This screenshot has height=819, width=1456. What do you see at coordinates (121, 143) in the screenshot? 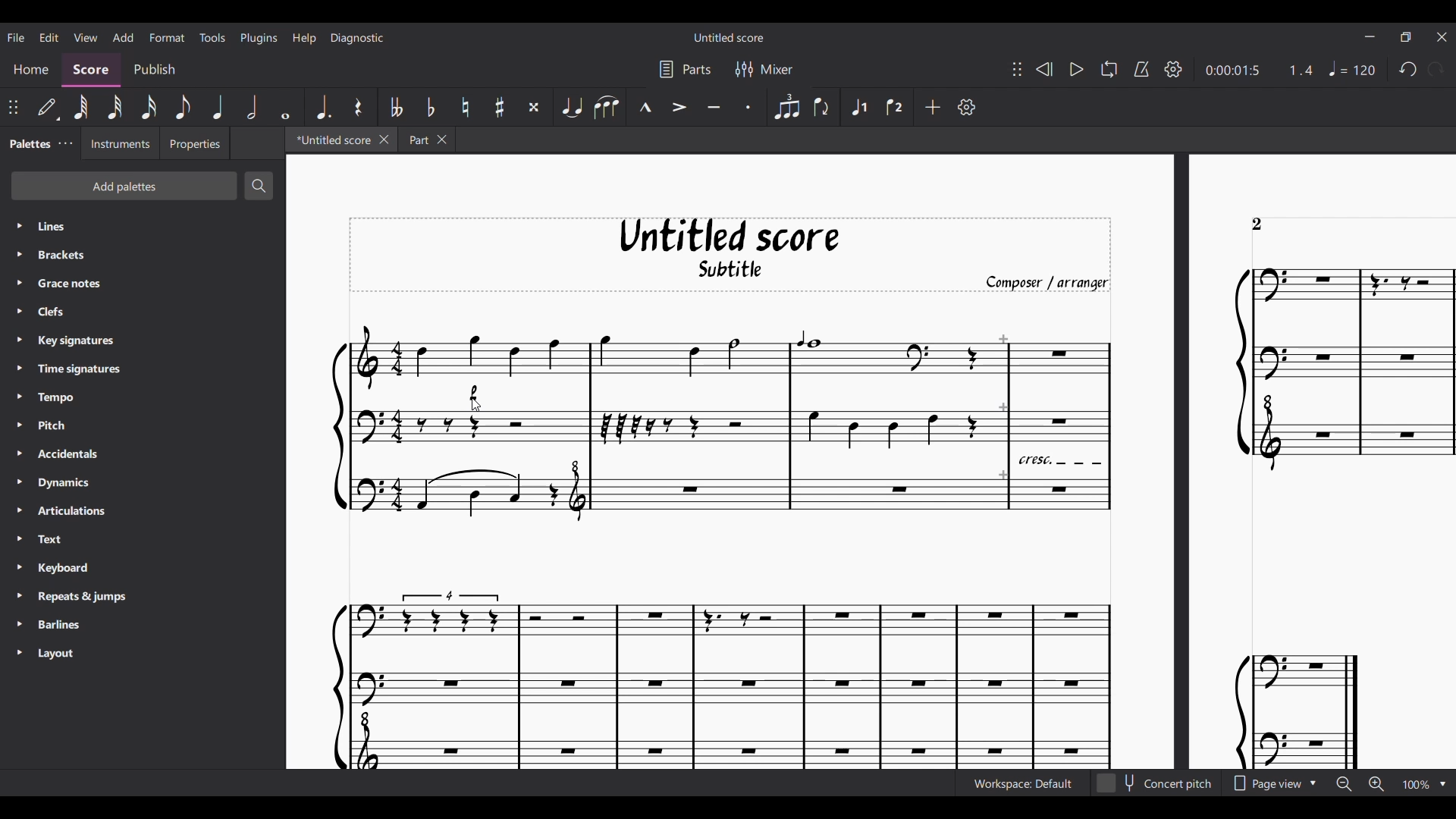
I see `Instruments tab` at bounding box center [121, 143].